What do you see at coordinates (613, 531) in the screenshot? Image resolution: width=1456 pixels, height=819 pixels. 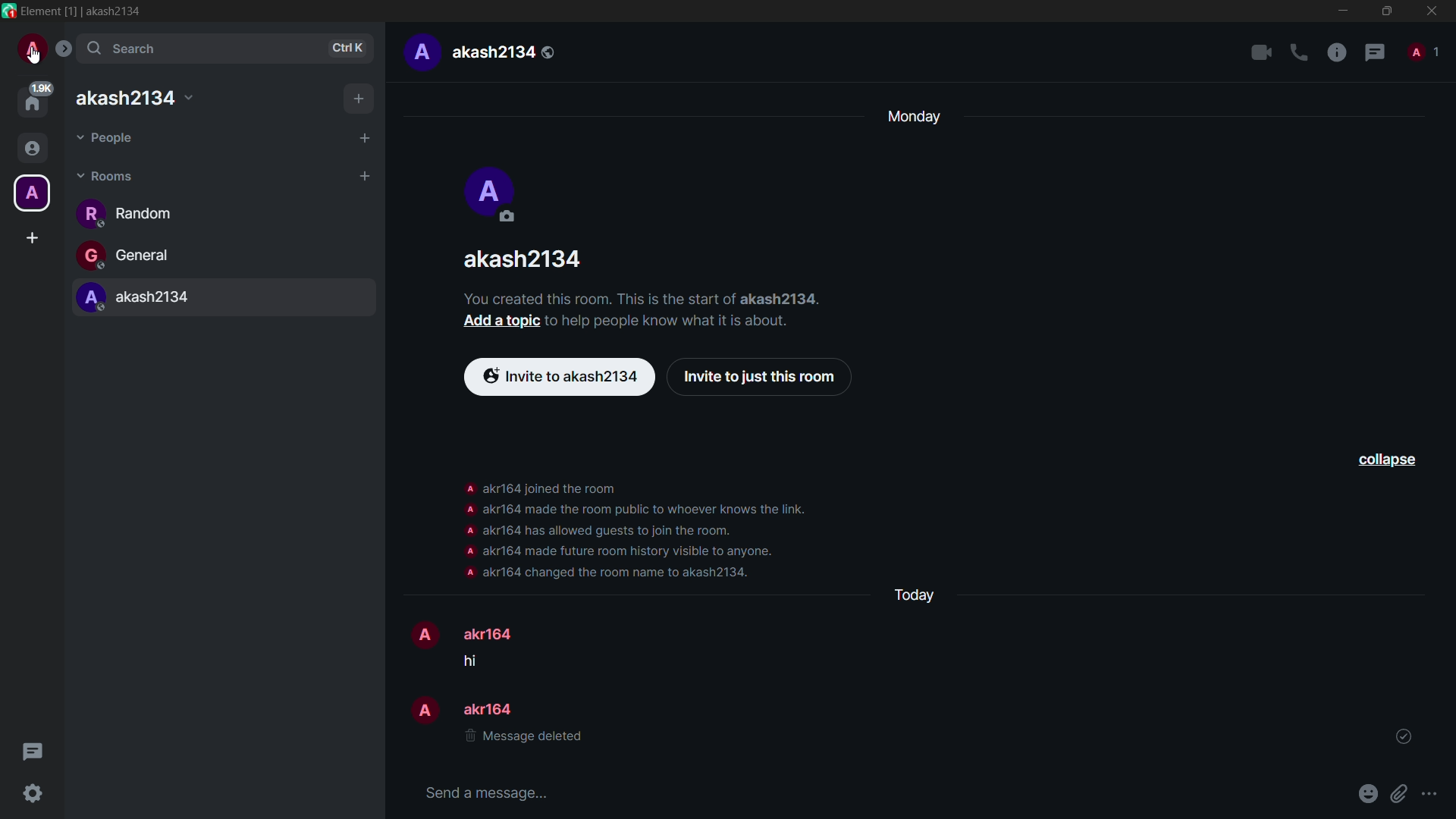 I see `akr164 has allowed guests to join the room.` at bounding box center [613, 531].